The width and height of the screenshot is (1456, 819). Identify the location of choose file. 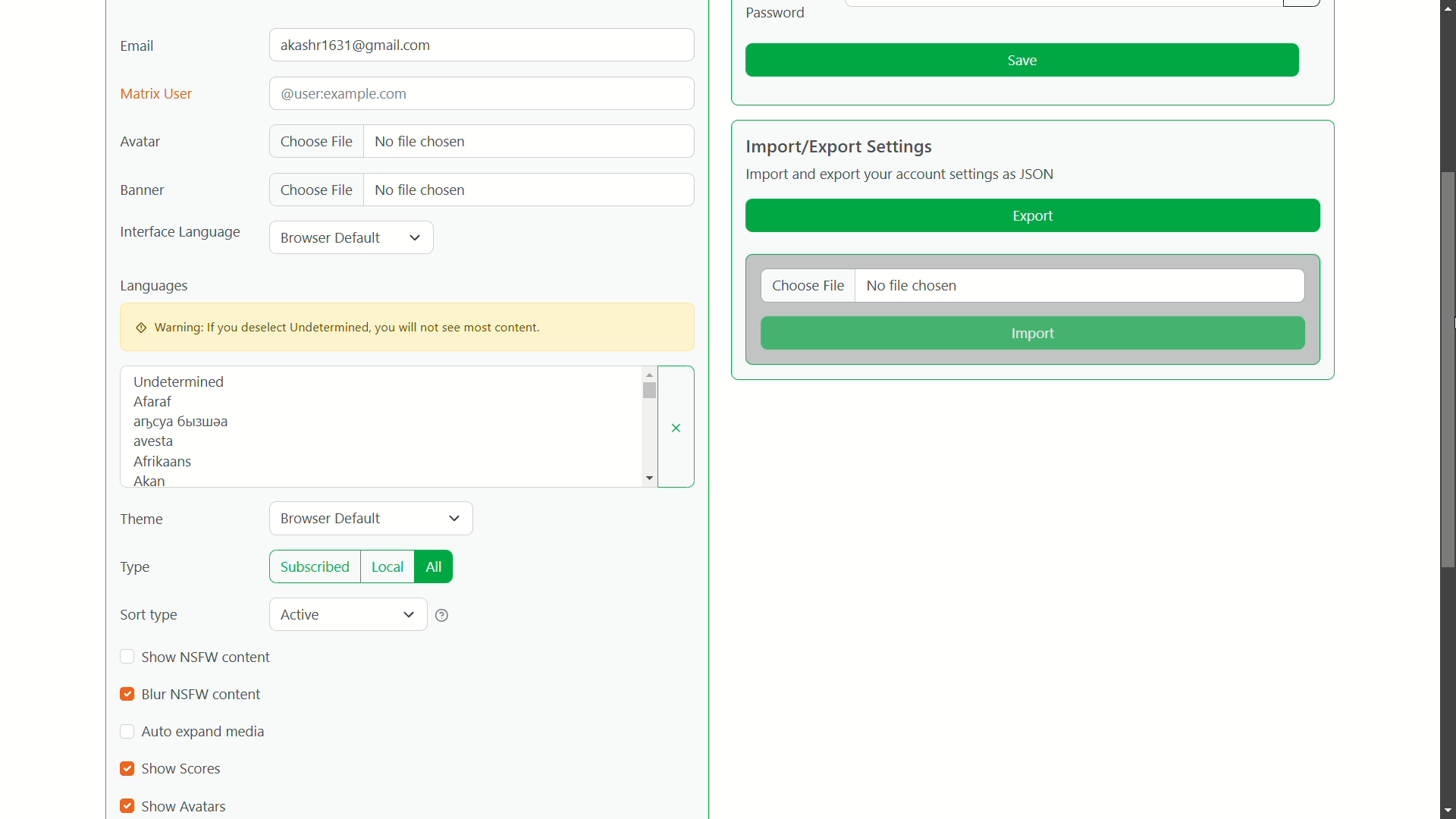
(809, 287).